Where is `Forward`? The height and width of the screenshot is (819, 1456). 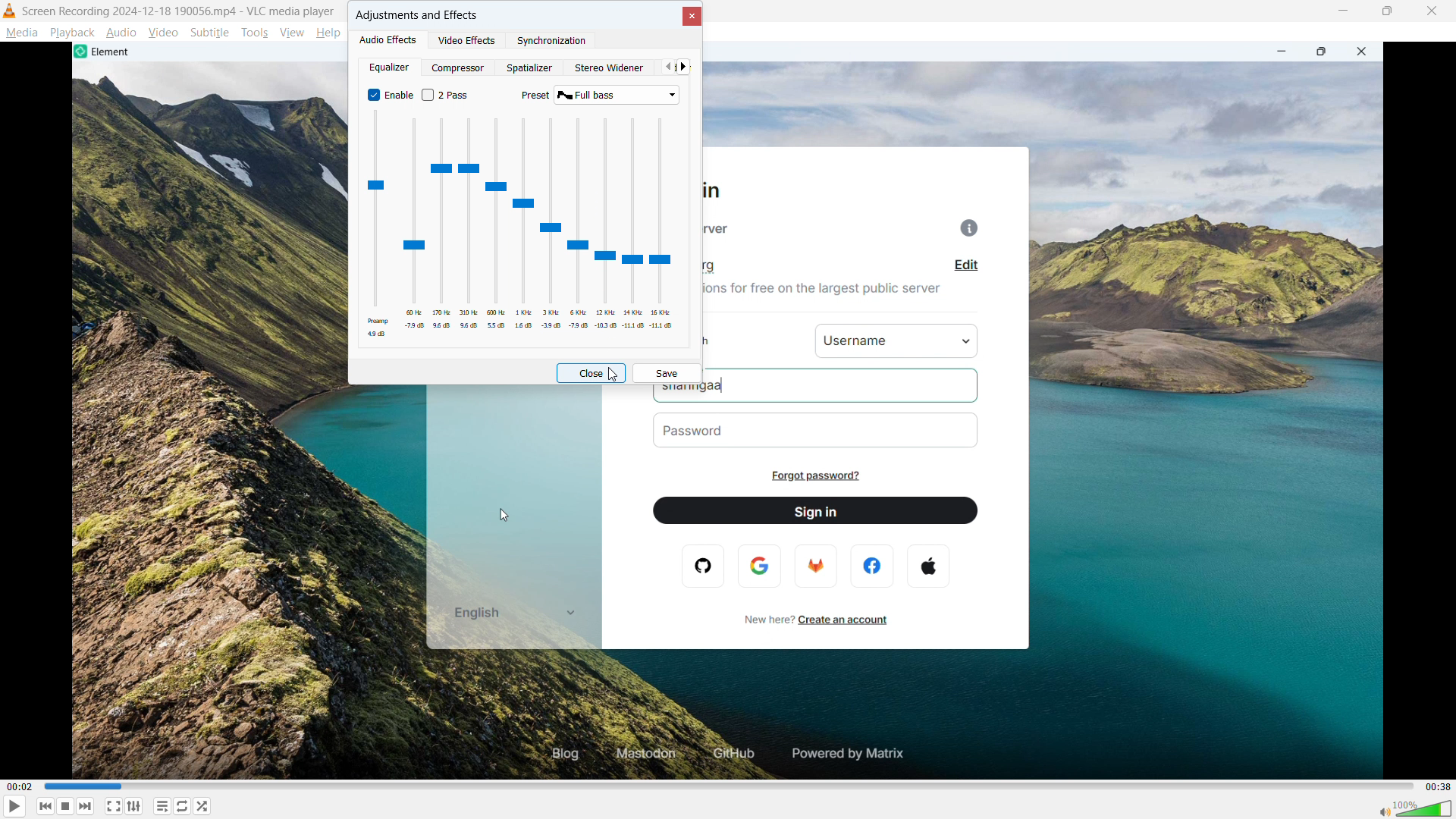
Forward is located at coordinates (98, 806).